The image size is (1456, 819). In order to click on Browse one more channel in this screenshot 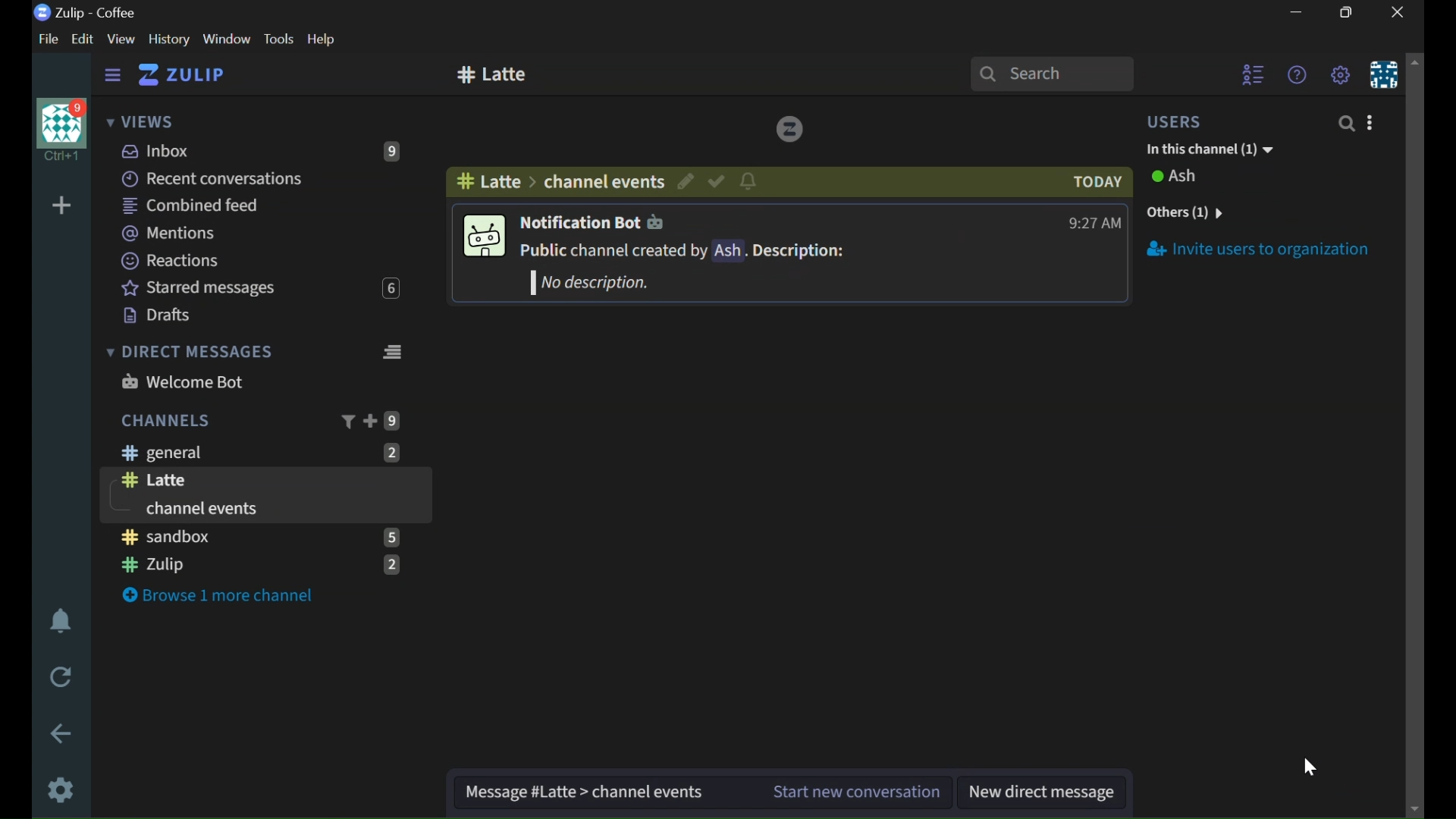, I will do `click(220, 596)`.